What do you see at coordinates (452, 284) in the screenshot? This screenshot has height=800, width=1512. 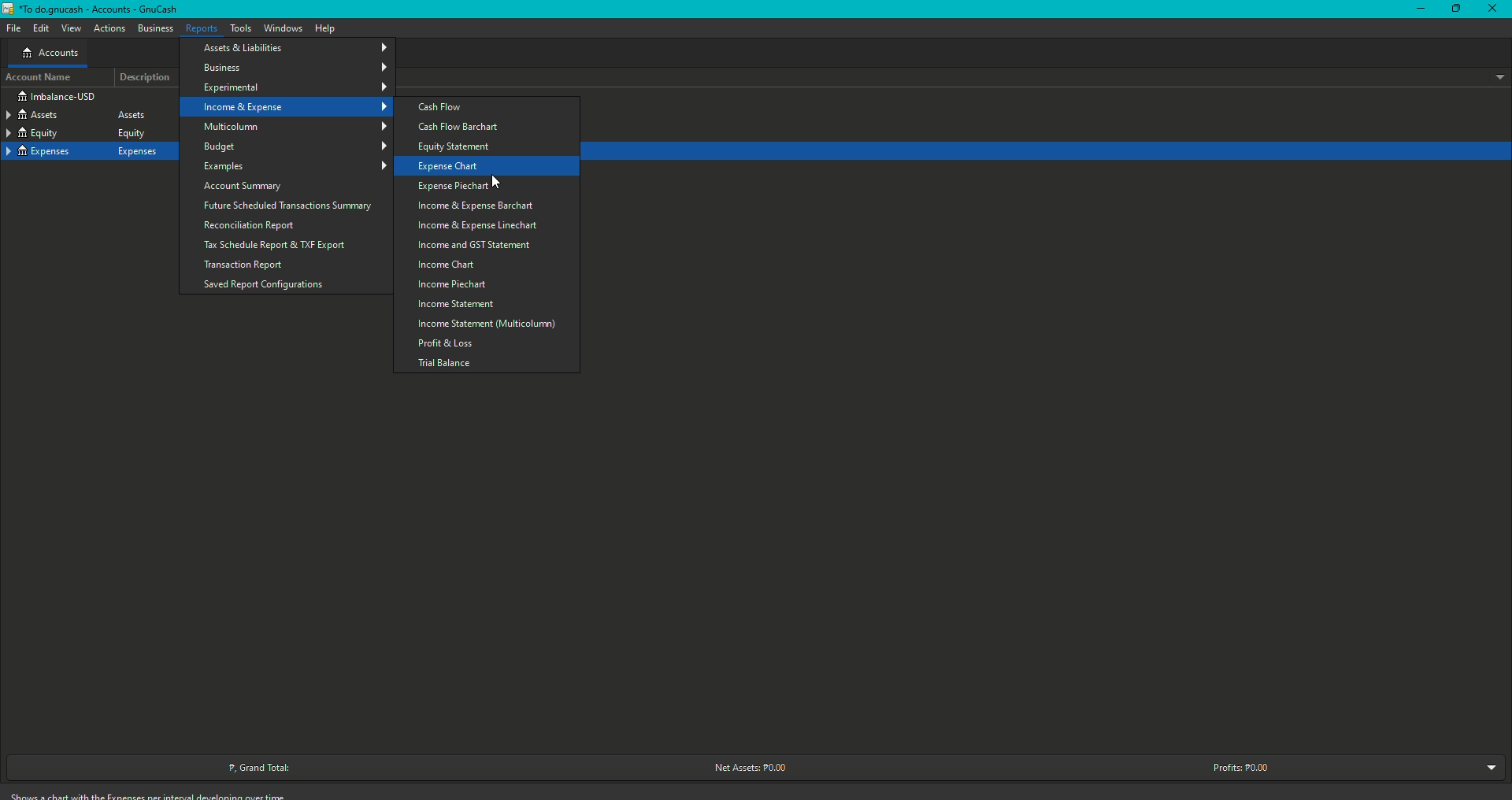 I see `Income Piechart` at bounding box center [452, 284].